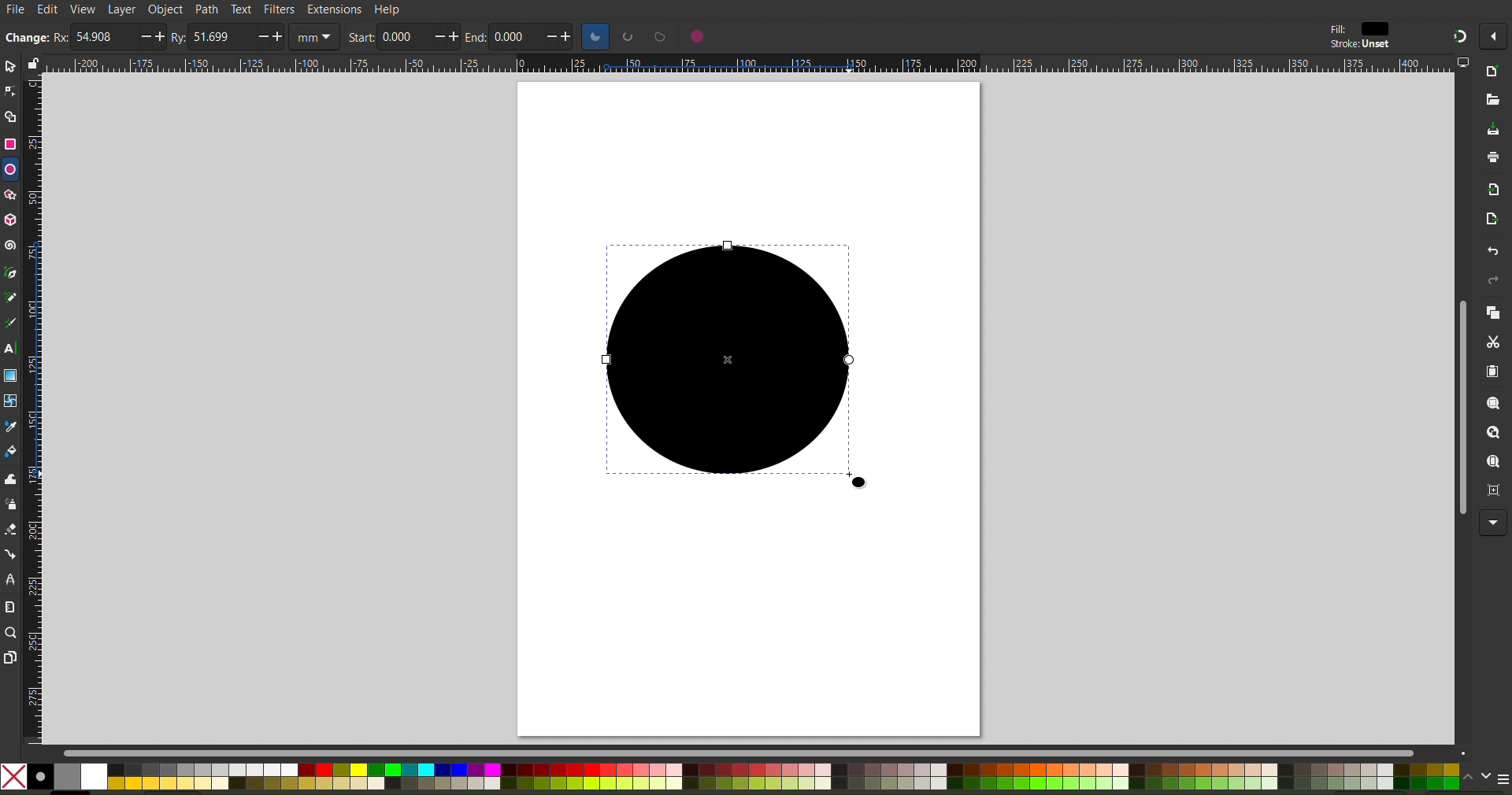  I want to click on Layer , so click(122, 11).